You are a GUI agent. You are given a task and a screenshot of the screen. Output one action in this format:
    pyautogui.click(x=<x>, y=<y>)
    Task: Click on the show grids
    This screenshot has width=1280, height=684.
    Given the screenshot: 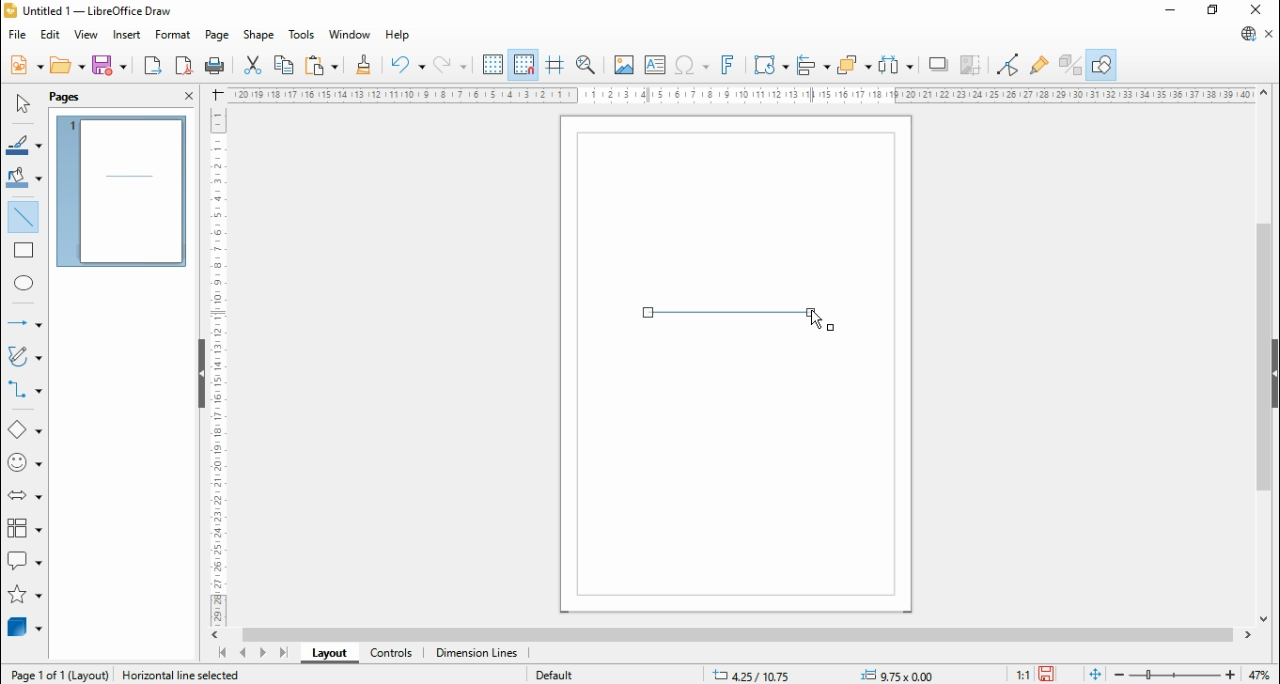 What is the action you would take?
    pyautogui.click(x=493, y=64)
    